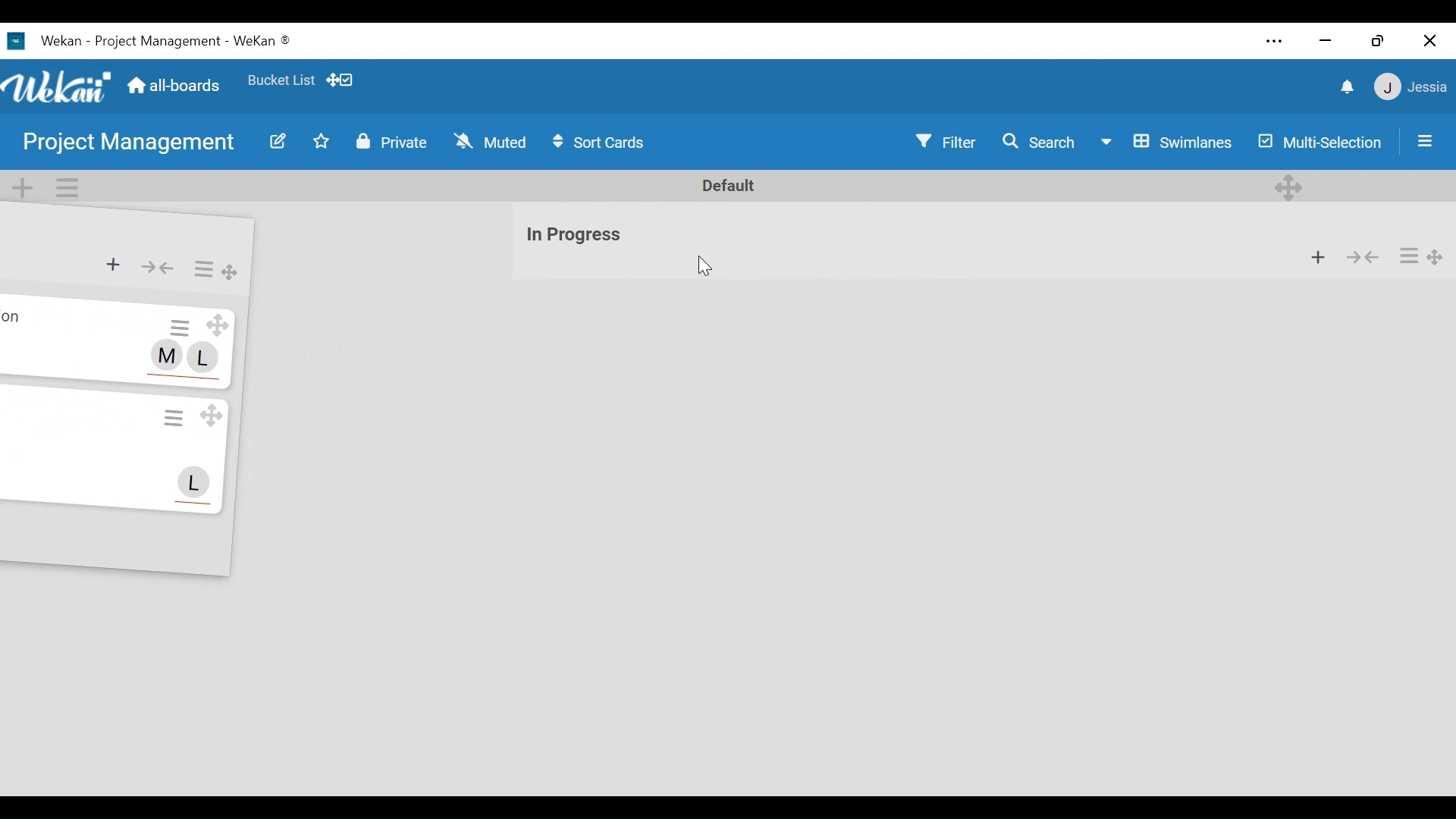 Image resolution: width=1456 pixels, height=819 pixels. Describe the element at coordinates (1167, 142) in the screenshot. I see `Board View` at that location.